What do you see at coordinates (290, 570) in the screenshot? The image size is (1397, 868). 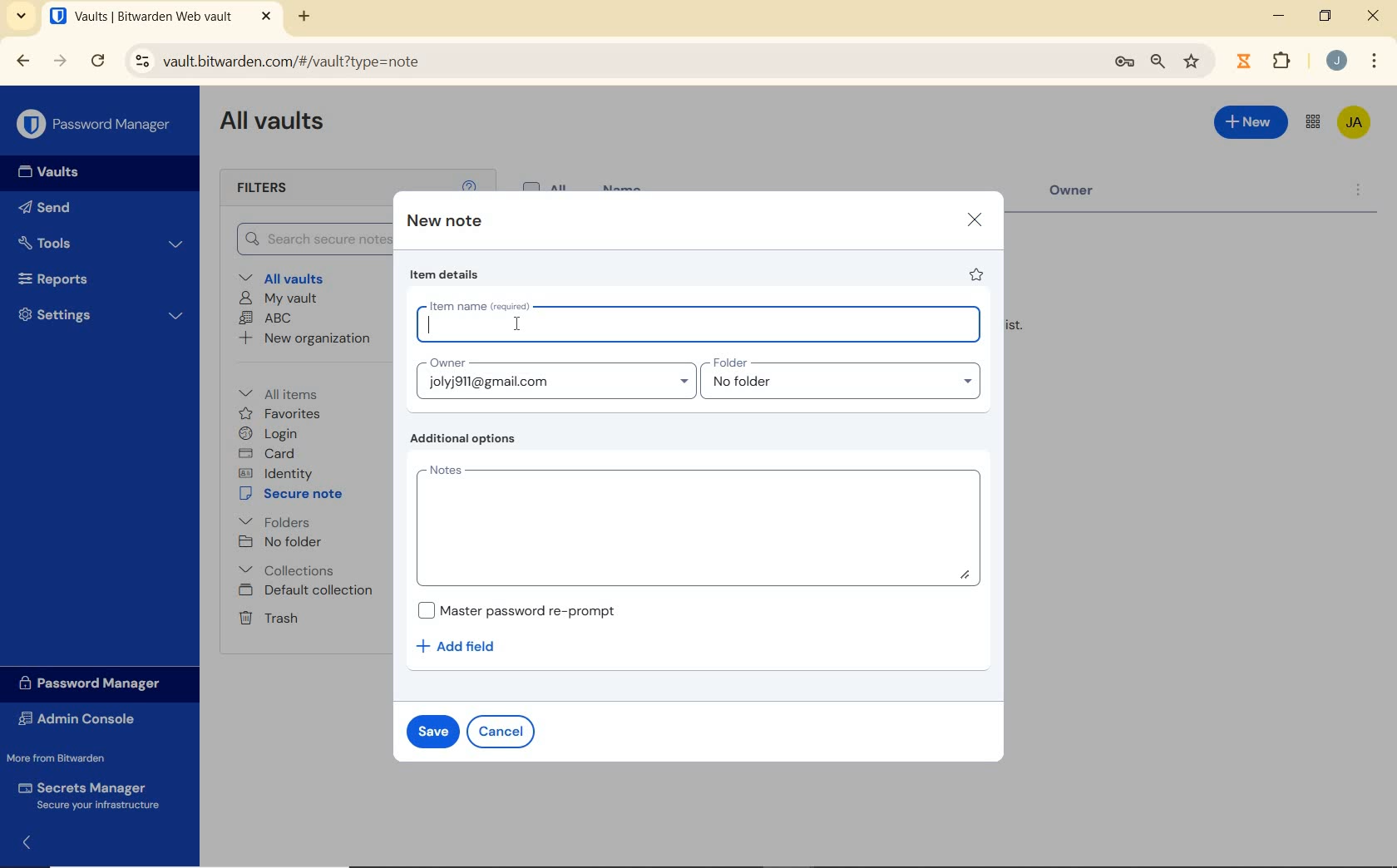 I see `Collections` at bounding box center [290, 570].